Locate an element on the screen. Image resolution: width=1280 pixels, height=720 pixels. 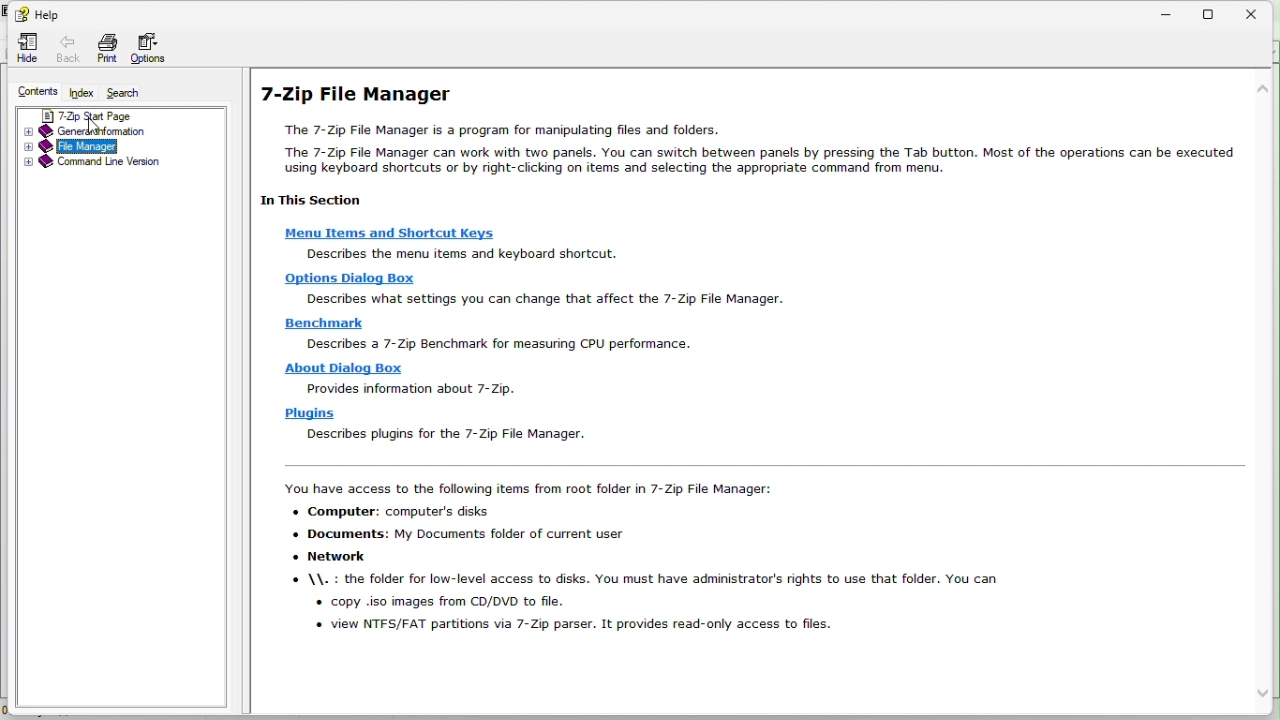
You have access to the following items from root folder in 7-Zip File Manager:
«+ Computer: computer's disks
+ Documents: My Documents folder of current user
« Network
© \\. : the folder for low-level access to disks. You must have administrator's rights to use that folder. You can
+ copy .iso images from CD/DVD to file.
« view NTFS/FAT partitions via 7-Zip parser. It provides read-only access to files. is located at coordinates (642, 565).